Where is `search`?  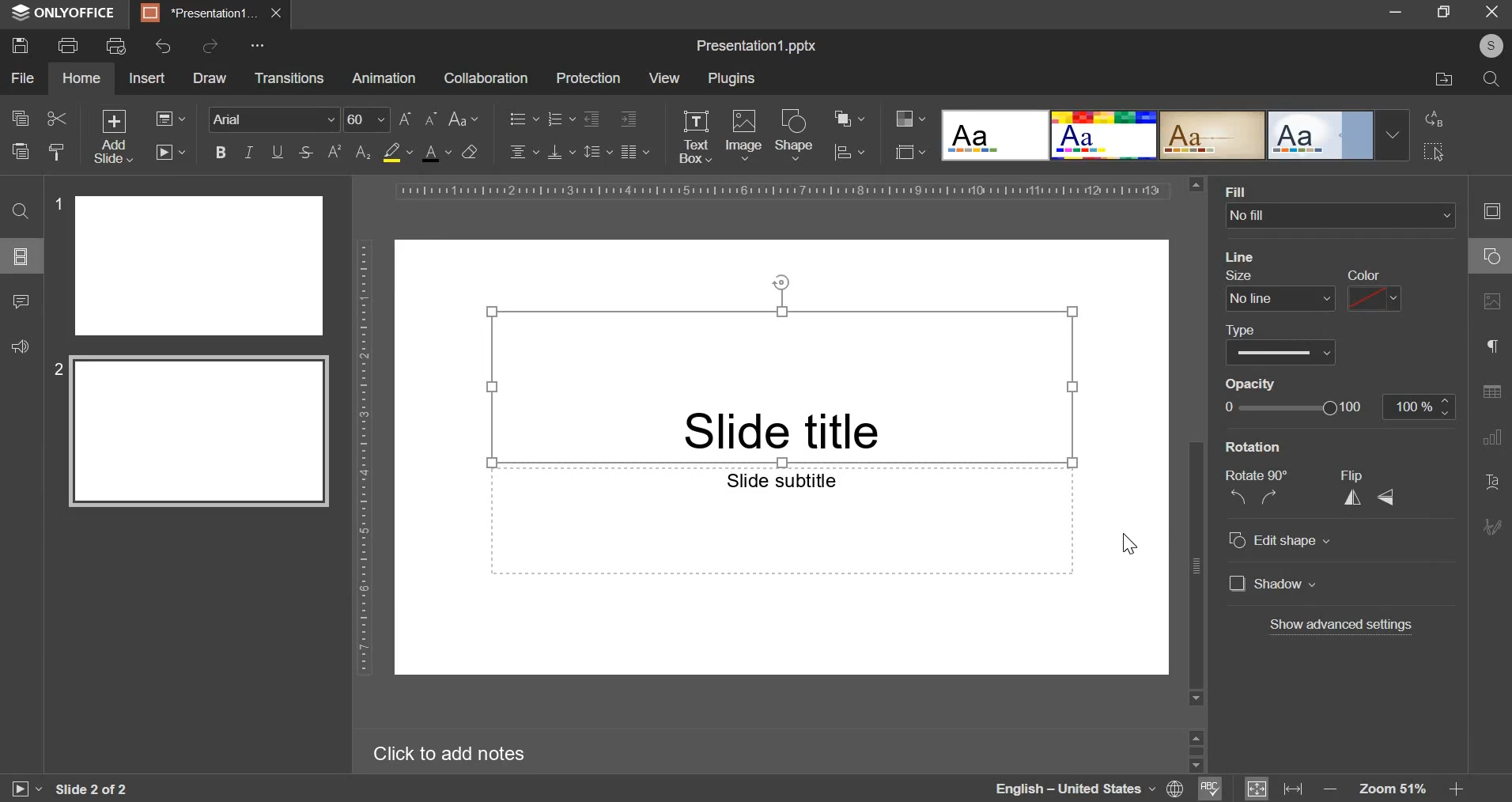
search is located at coordinates (1491, 79).